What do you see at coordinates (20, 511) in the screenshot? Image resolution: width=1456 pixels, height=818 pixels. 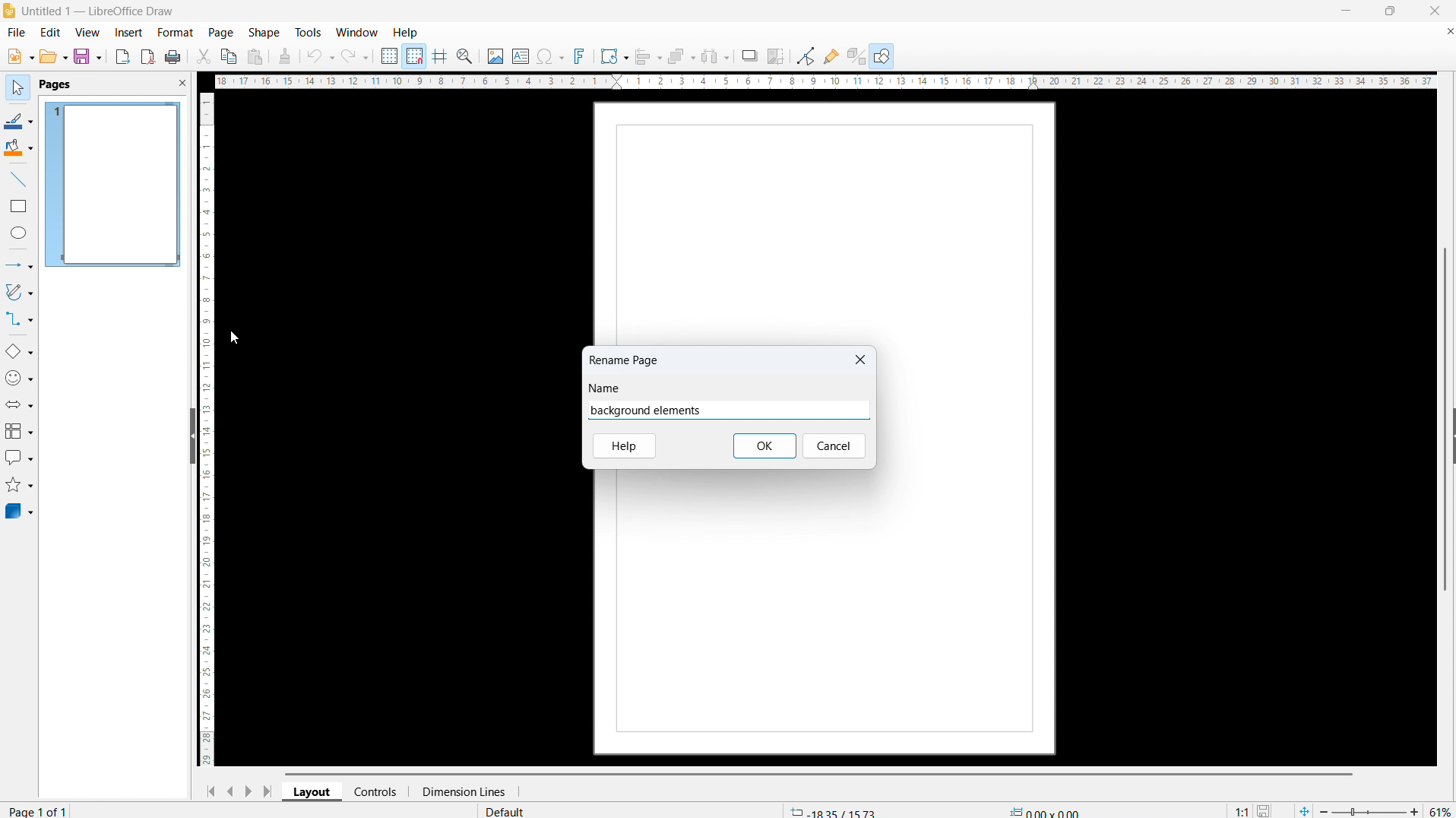 I see `3D objects` at bounding box center [20, 511].